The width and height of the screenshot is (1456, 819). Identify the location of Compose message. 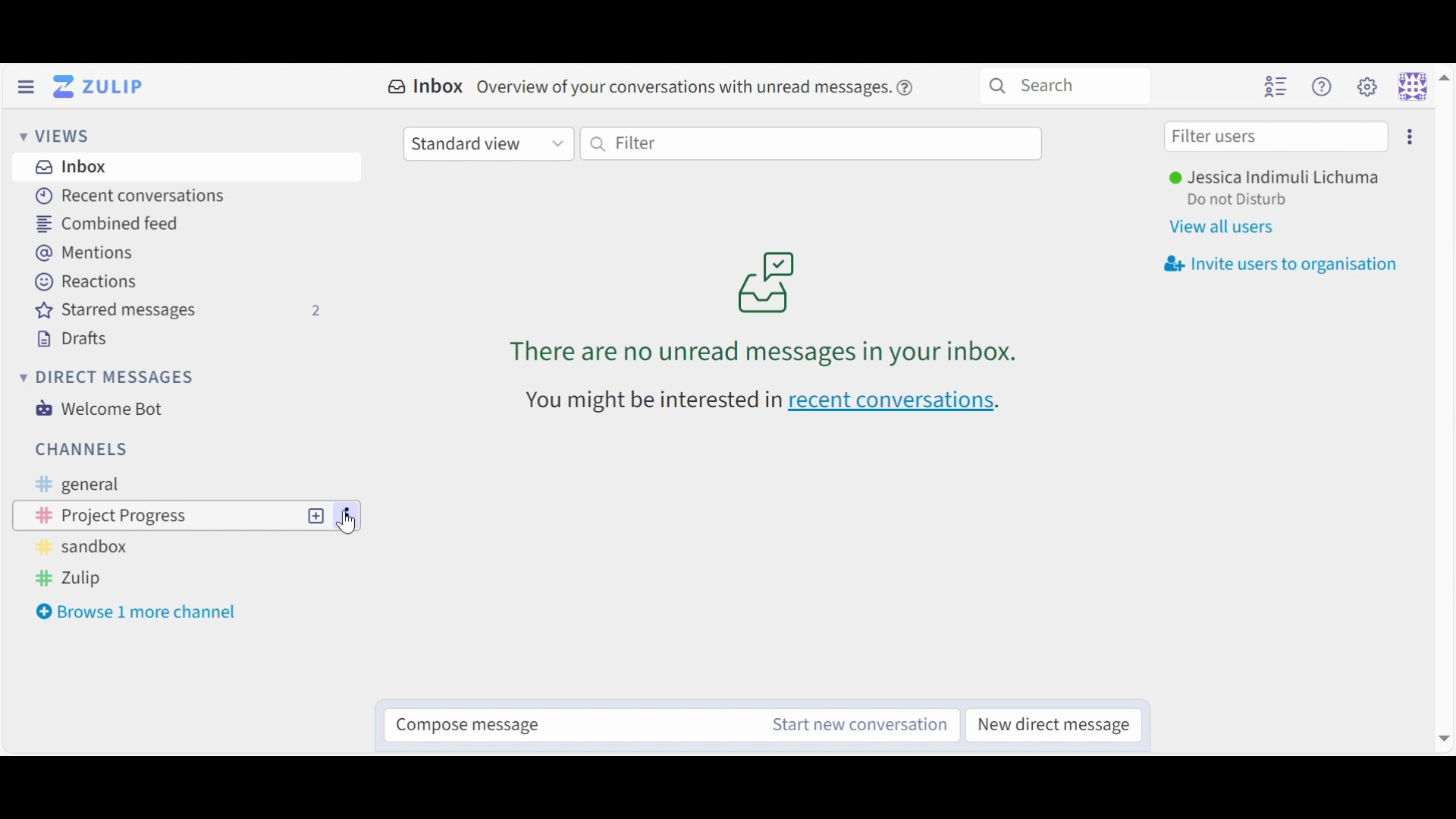
(572, 722).